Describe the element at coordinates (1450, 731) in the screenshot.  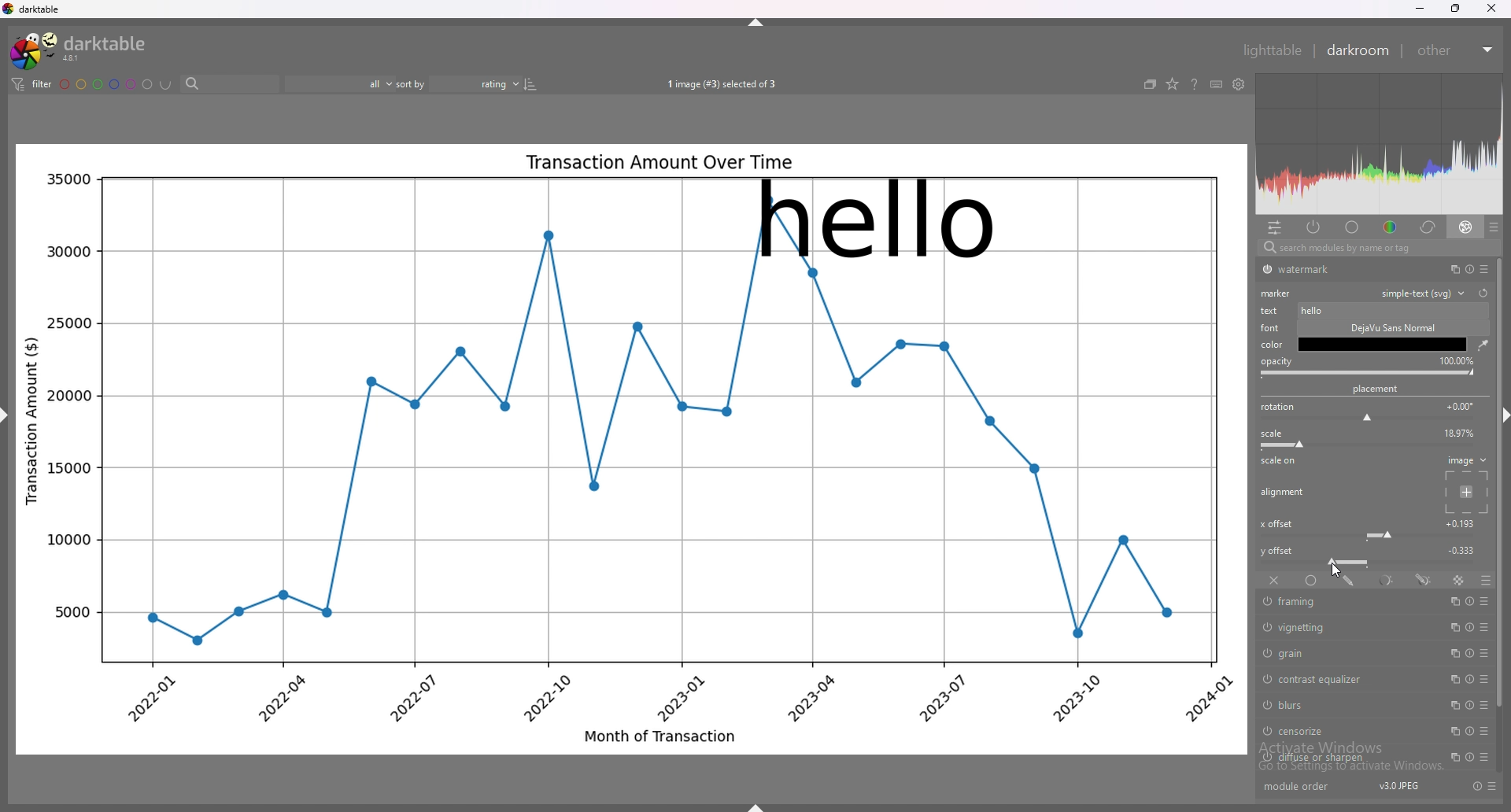
I see `multiple instances action` at that location.